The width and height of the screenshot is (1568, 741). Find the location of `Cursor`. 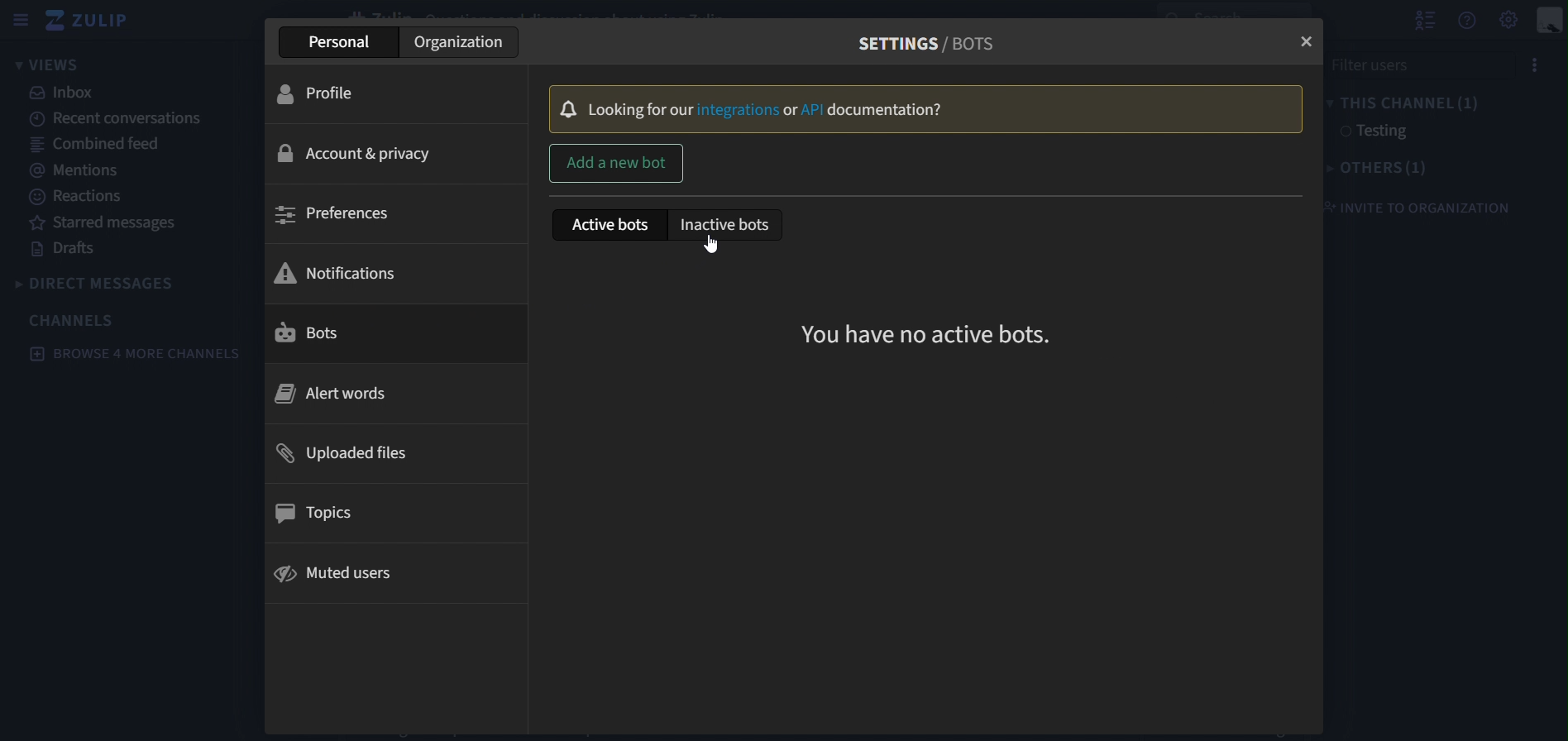

Cursor is located at coordinates (709, 245).